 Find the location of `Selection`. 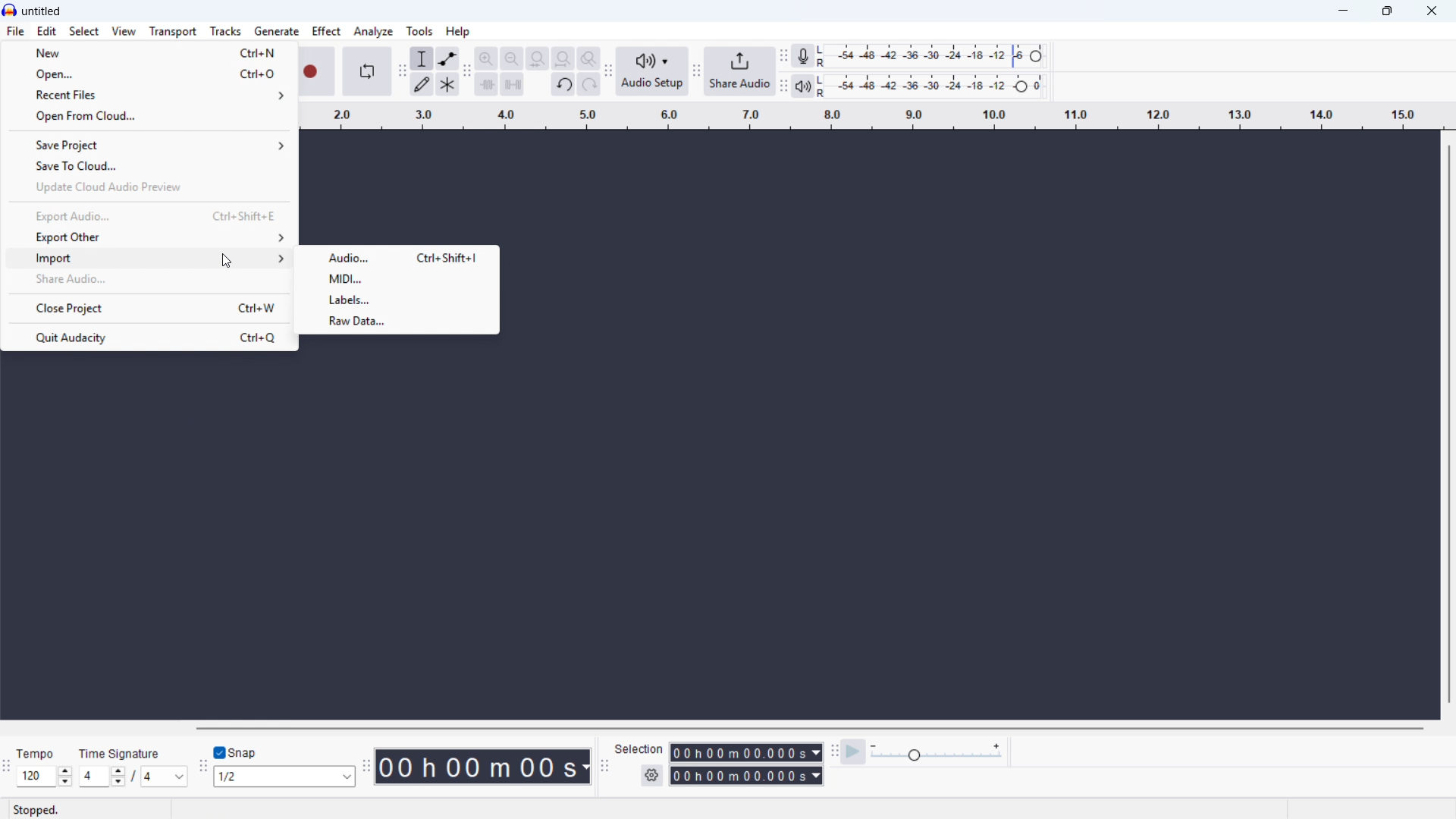

Selection is located at coordinates (640, 749).